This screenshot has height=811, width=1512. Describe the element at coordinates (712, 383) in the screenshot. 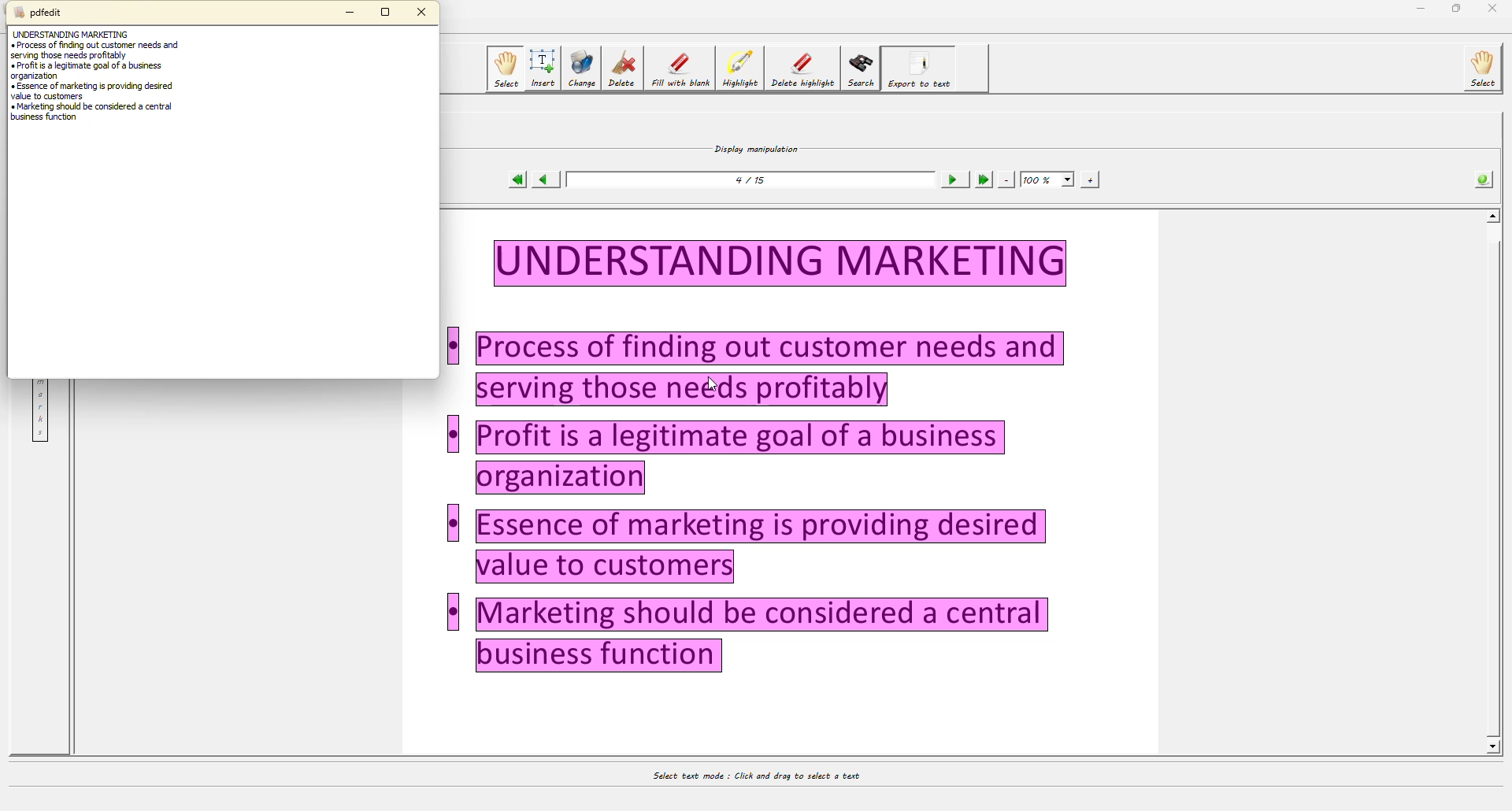

I see `cursor` at that location.